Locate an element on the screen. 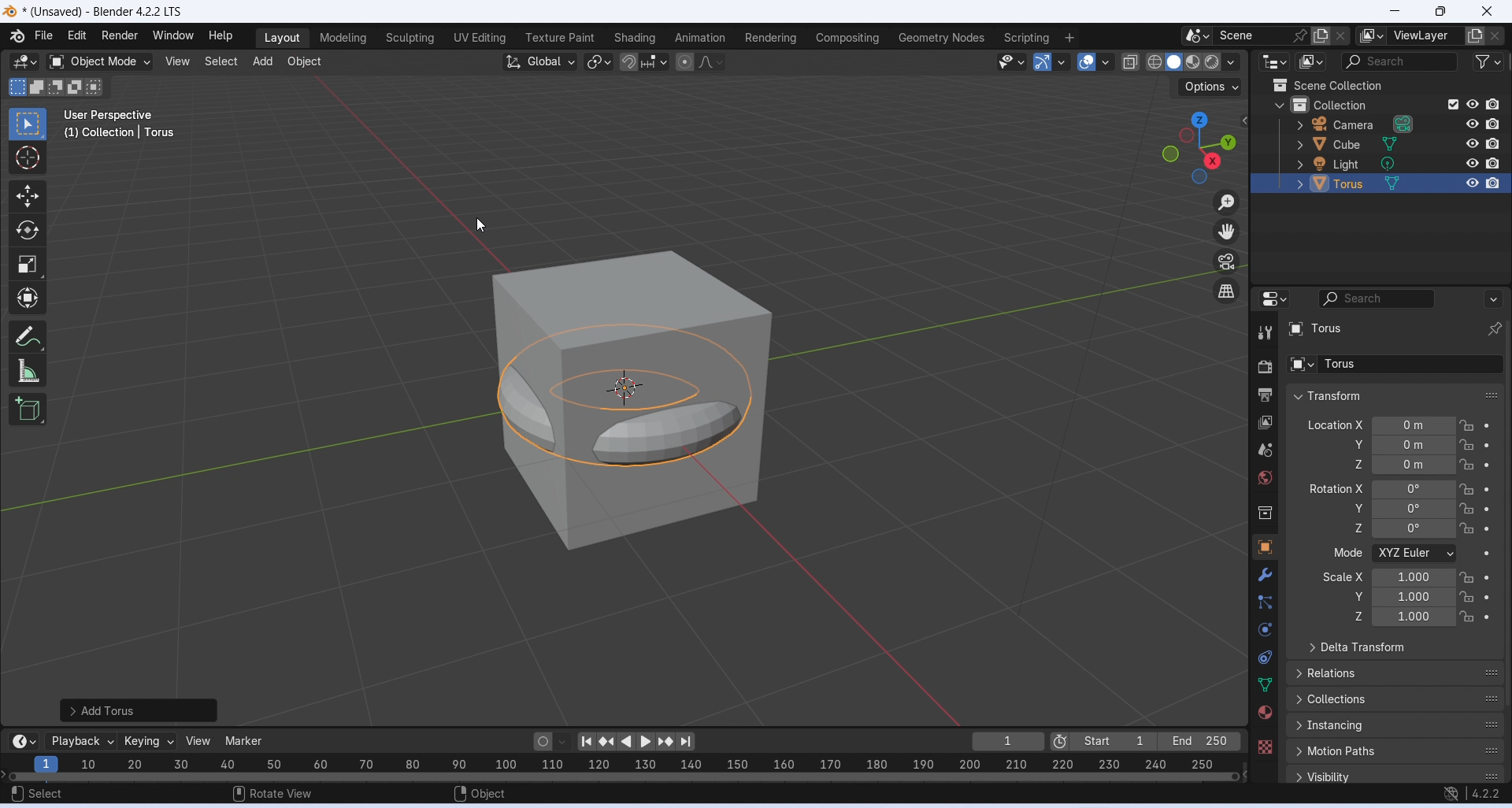 This screenshot has height=808, width=1512. add scene is located at coordinates (1321, 37).